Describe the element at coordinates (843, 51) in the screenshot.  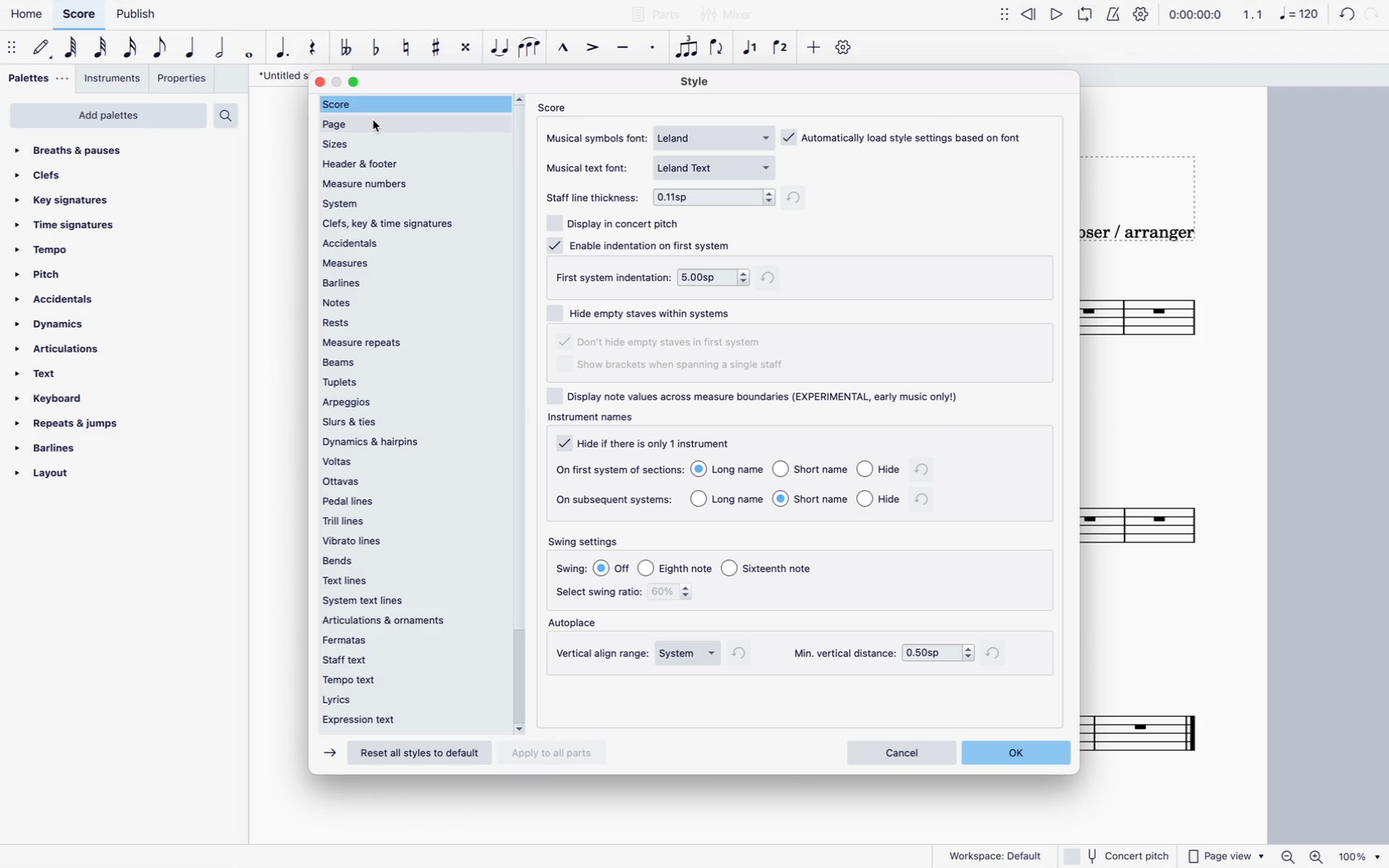
I see `settings` at that location.